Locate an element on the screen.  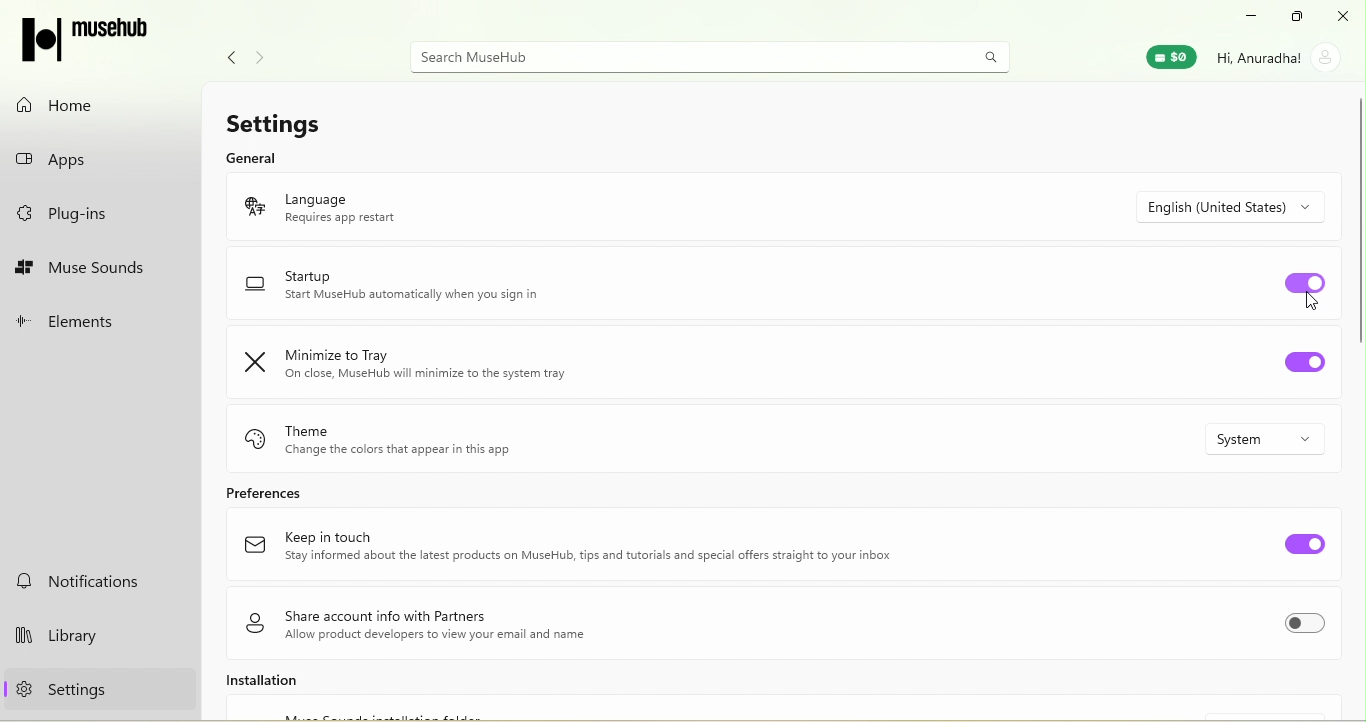
navigate back is located at coordinates (226, 55).